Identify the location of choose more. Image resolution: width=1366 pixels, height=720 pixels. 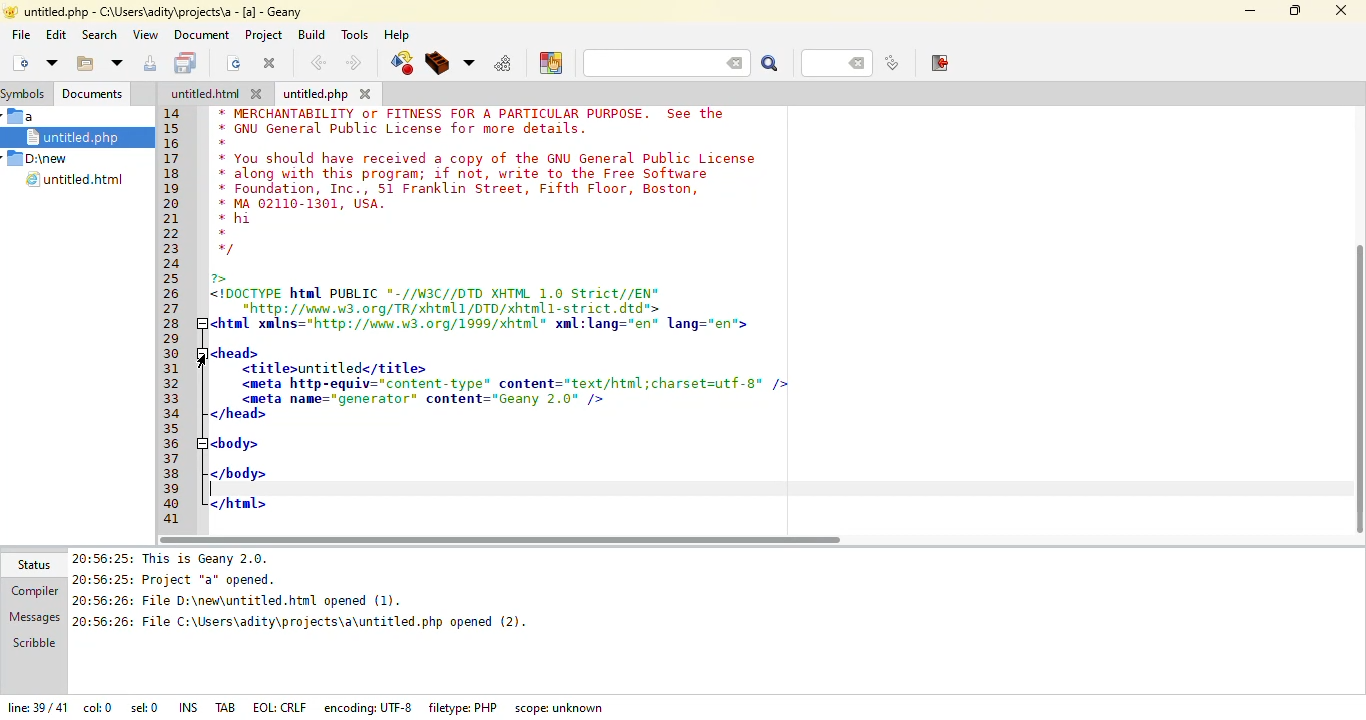
(469, 64).